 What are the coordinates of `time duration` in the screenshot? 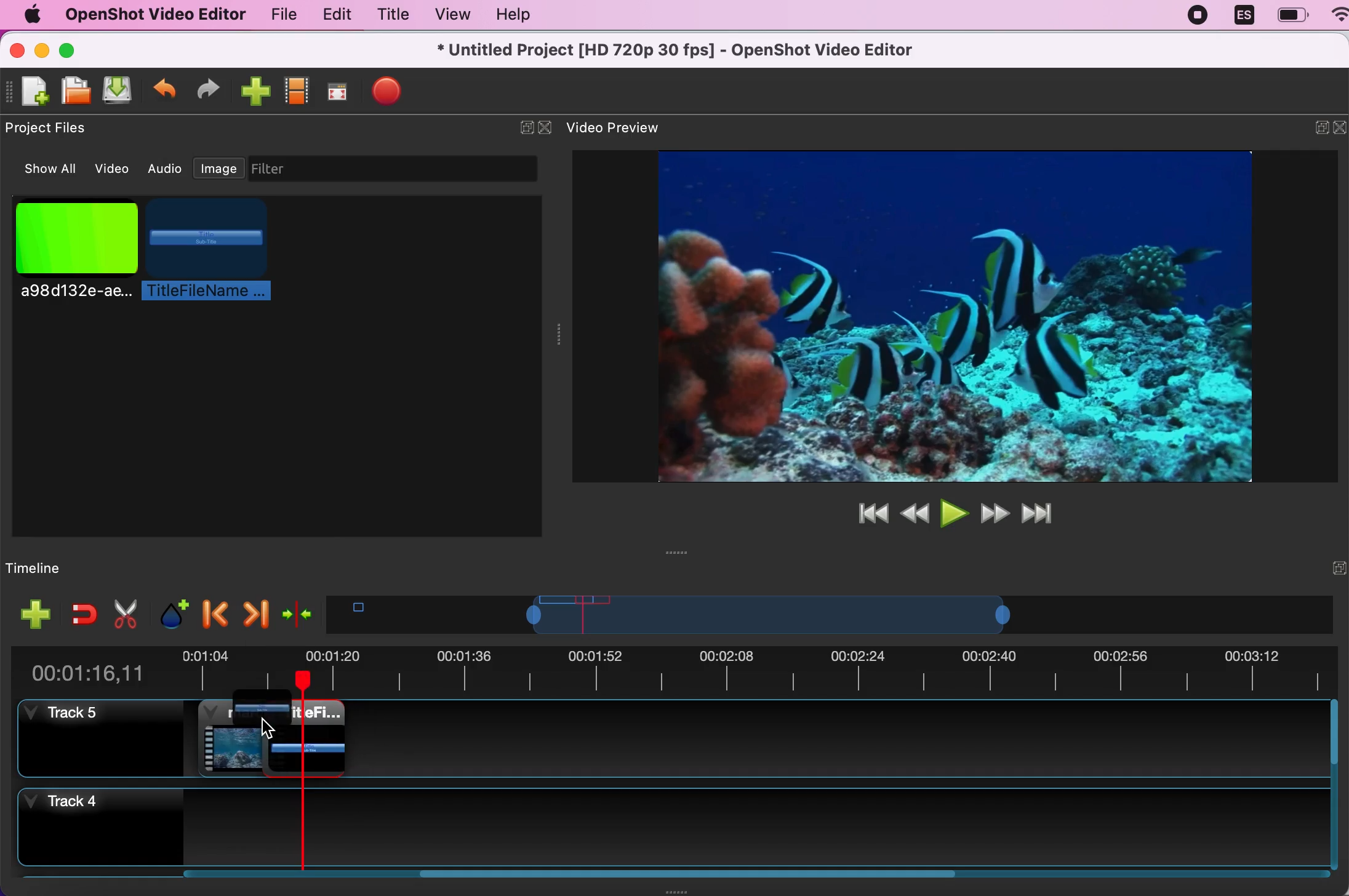 It's located at (676, 668).